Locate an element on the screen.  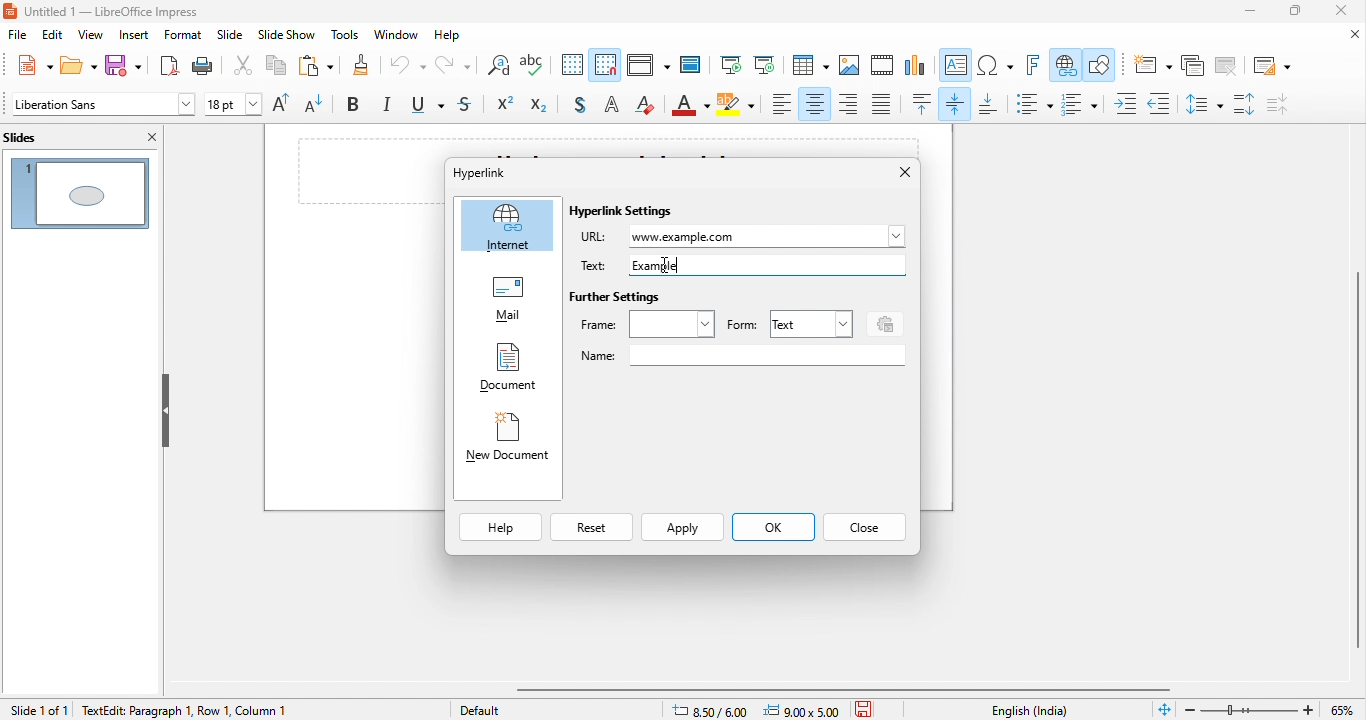
slide 1 of 1 is located at coordinates (38, 709).